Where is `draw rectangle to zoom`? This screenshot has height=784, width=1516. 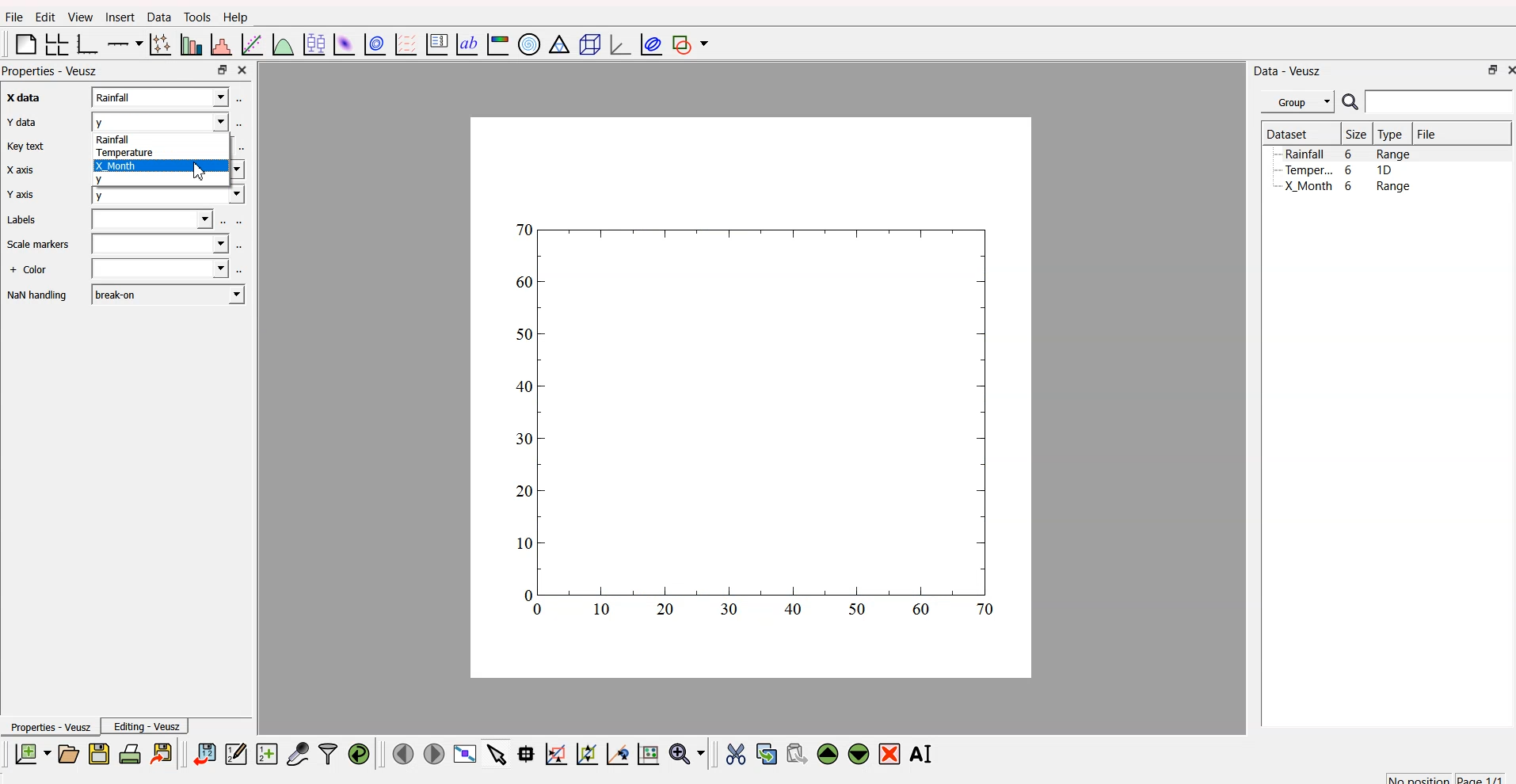
draw rectangle to zoom is located at coordinates (556, 753).